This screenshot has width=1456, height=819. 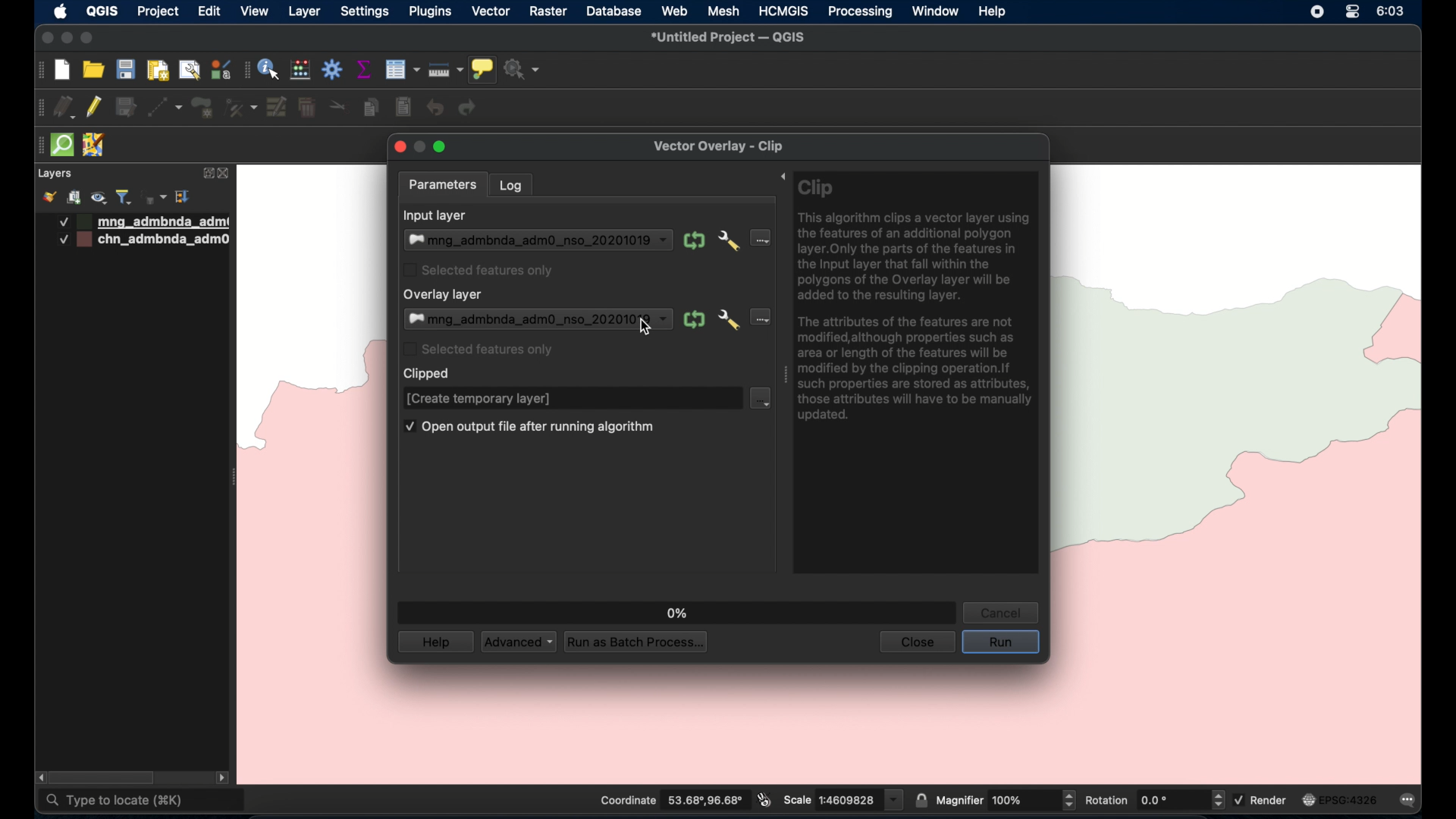 I want to click on new project, so click(x=63, y=71).